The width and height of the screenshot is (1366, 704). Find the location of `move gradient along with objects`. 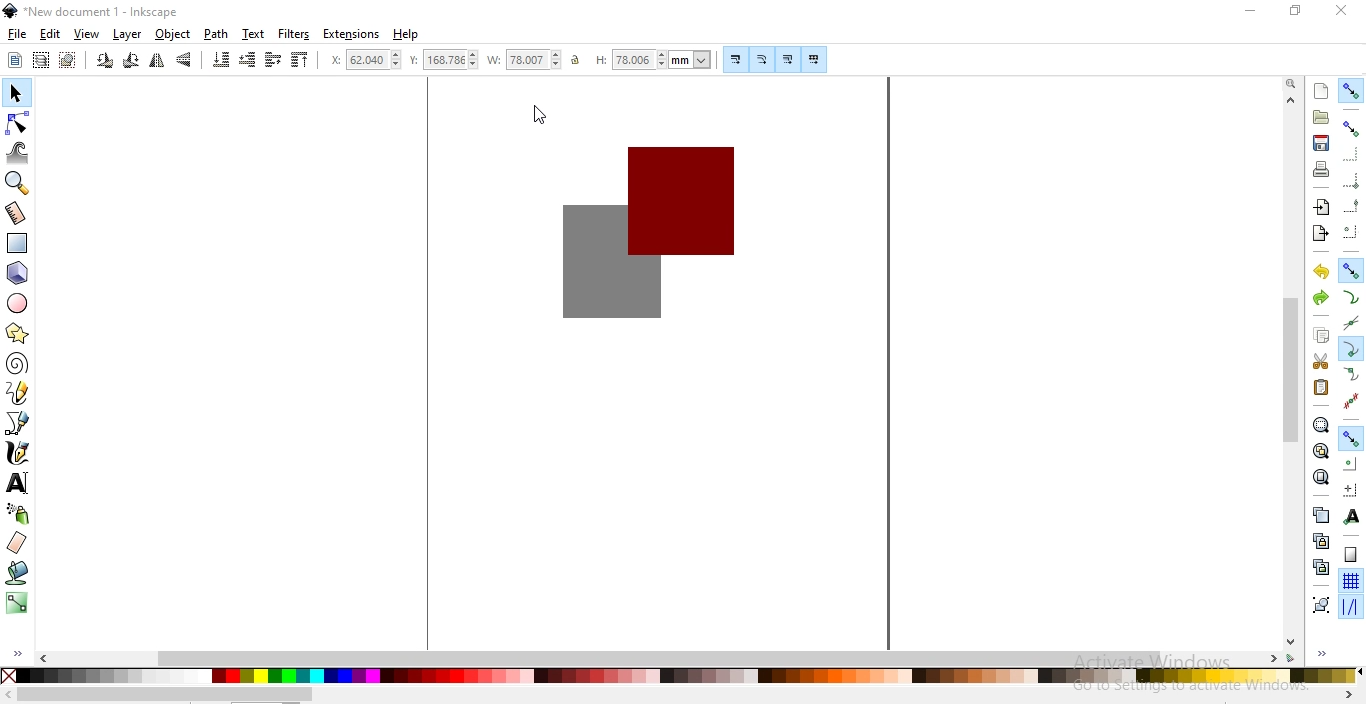

move gradient along with objects is located at coordinates (788, 60).